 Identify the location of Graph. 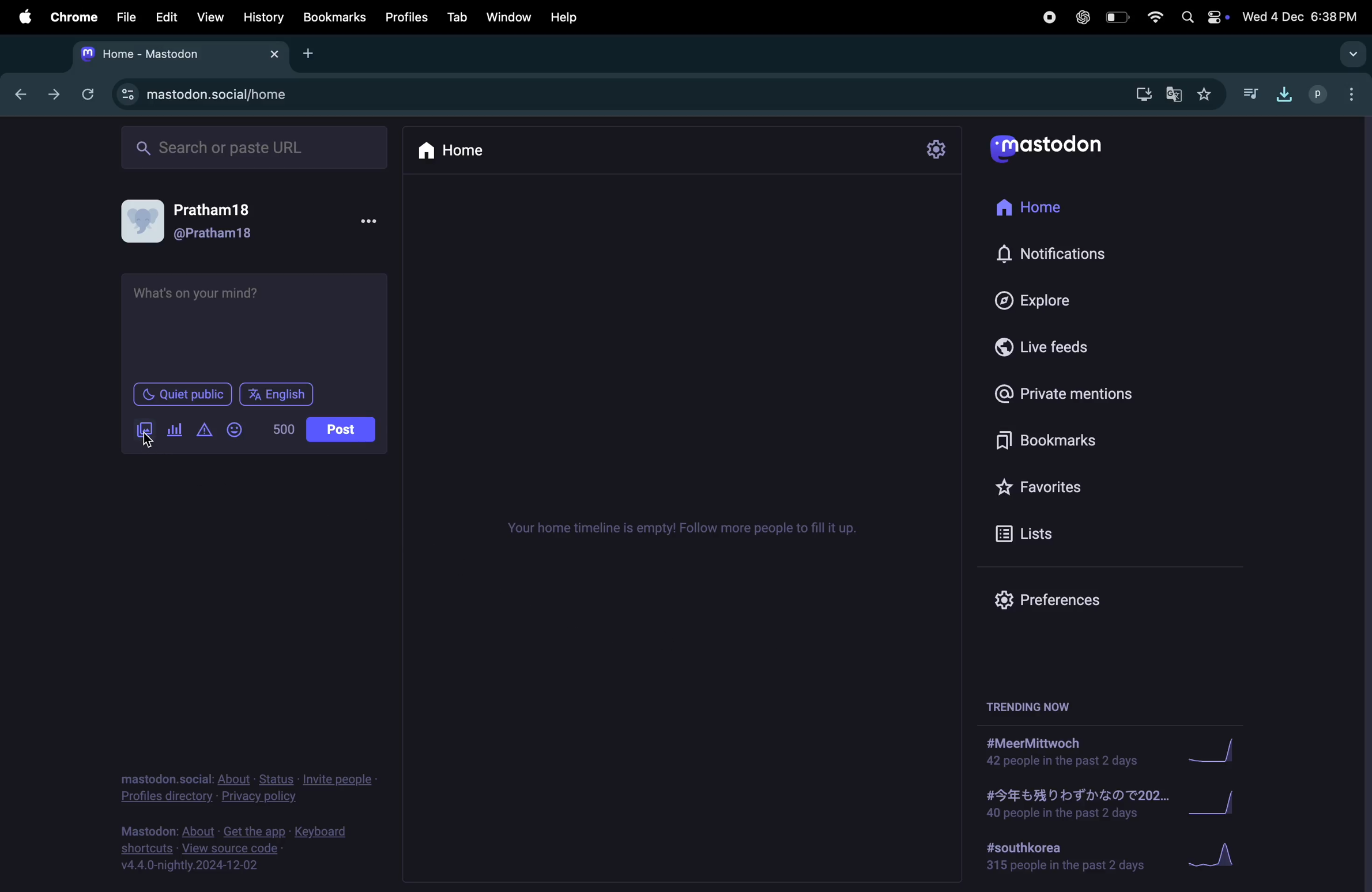
(1222, 803).